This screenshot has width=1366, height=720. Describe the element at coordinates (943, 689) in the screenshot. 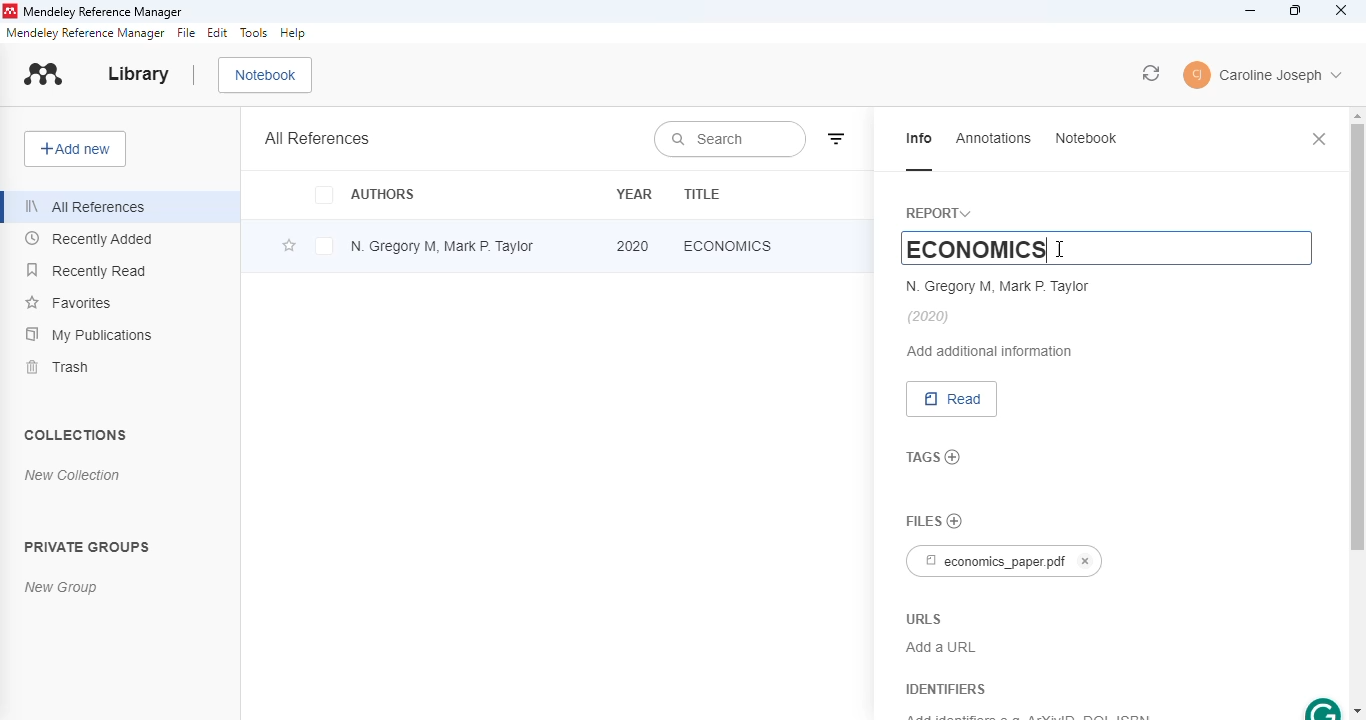

I see `identifiers` at that location.